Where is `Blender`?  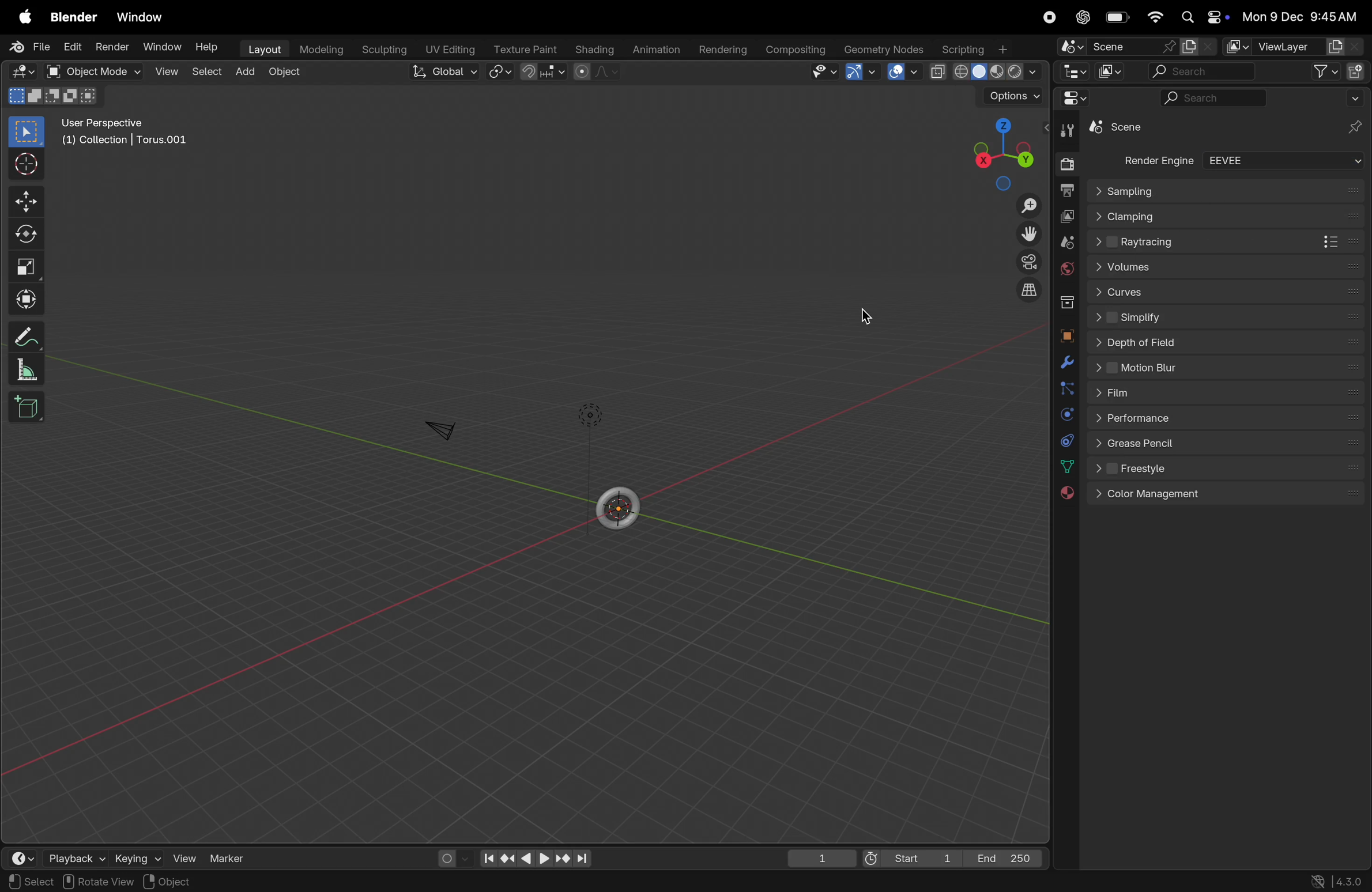 Blender is located at coordinates (73, 17).